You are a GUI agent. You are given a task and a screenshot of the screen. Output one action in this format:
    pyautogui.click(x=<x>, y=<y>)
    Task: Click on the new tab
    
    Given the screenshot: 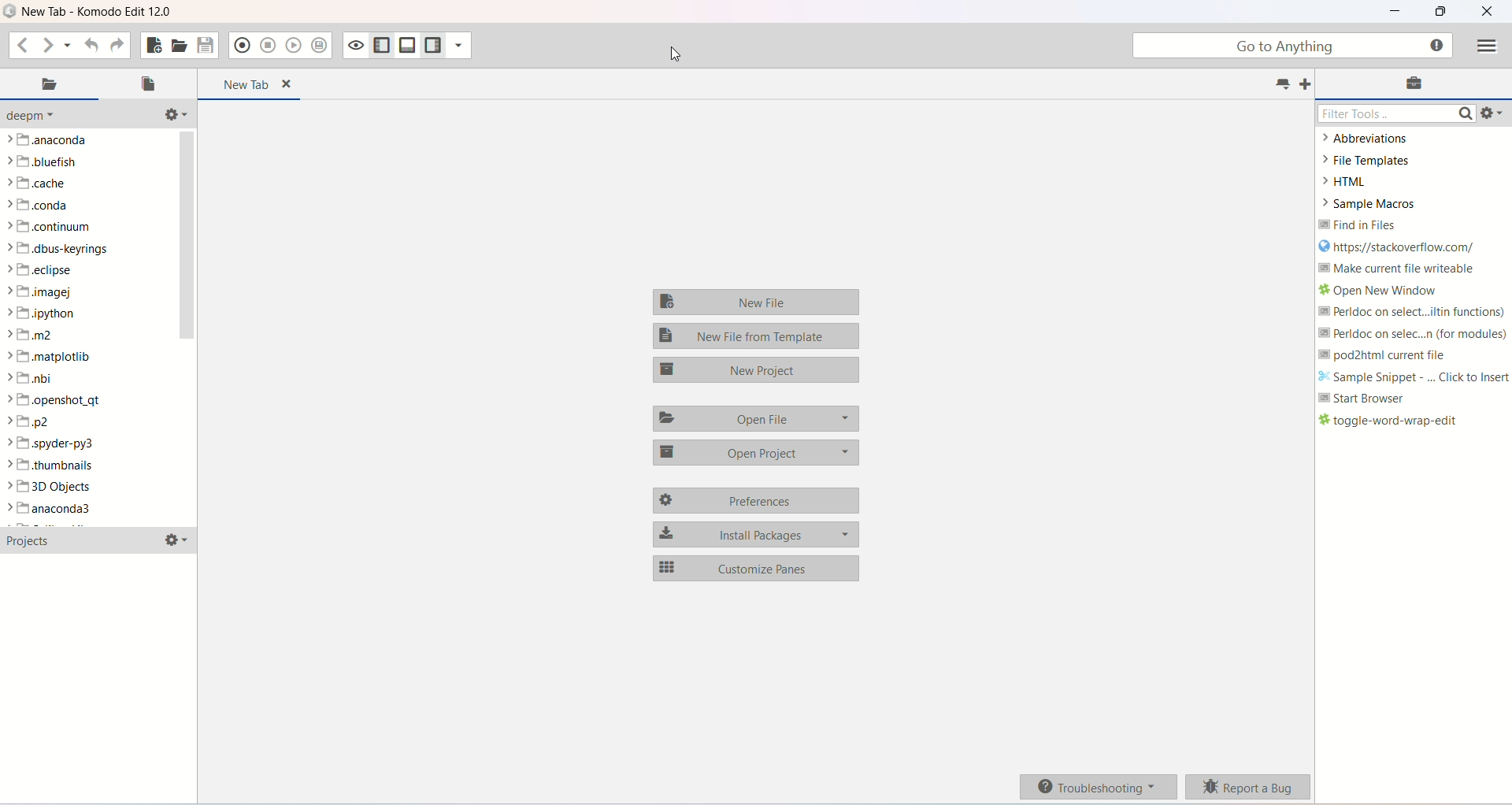 What is the action you would take?
    pyautogui.click(x=252, y=83)
    